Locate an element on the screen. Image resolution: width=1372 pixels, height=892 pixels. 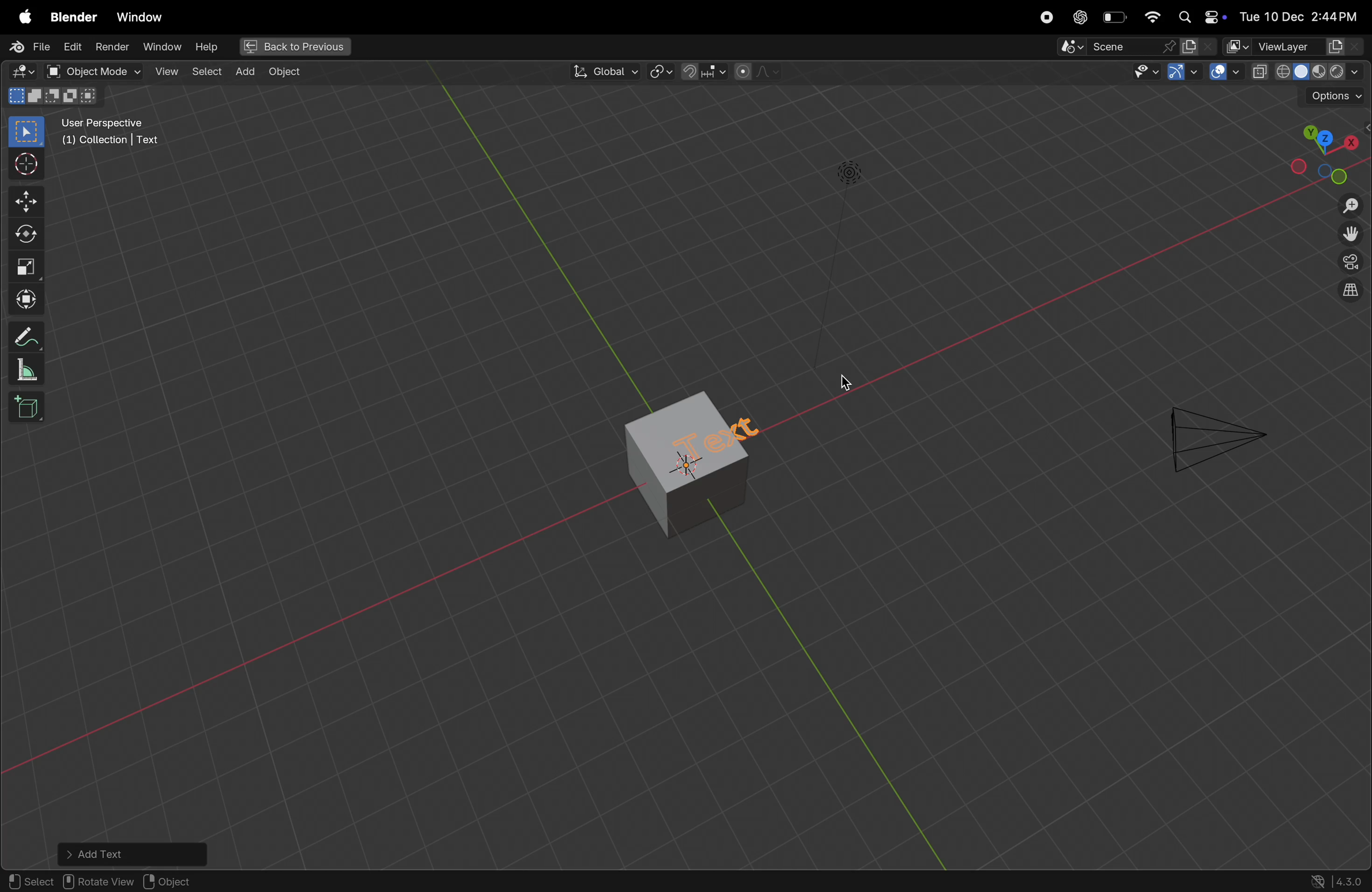
move is located at coordinates (24, 296).